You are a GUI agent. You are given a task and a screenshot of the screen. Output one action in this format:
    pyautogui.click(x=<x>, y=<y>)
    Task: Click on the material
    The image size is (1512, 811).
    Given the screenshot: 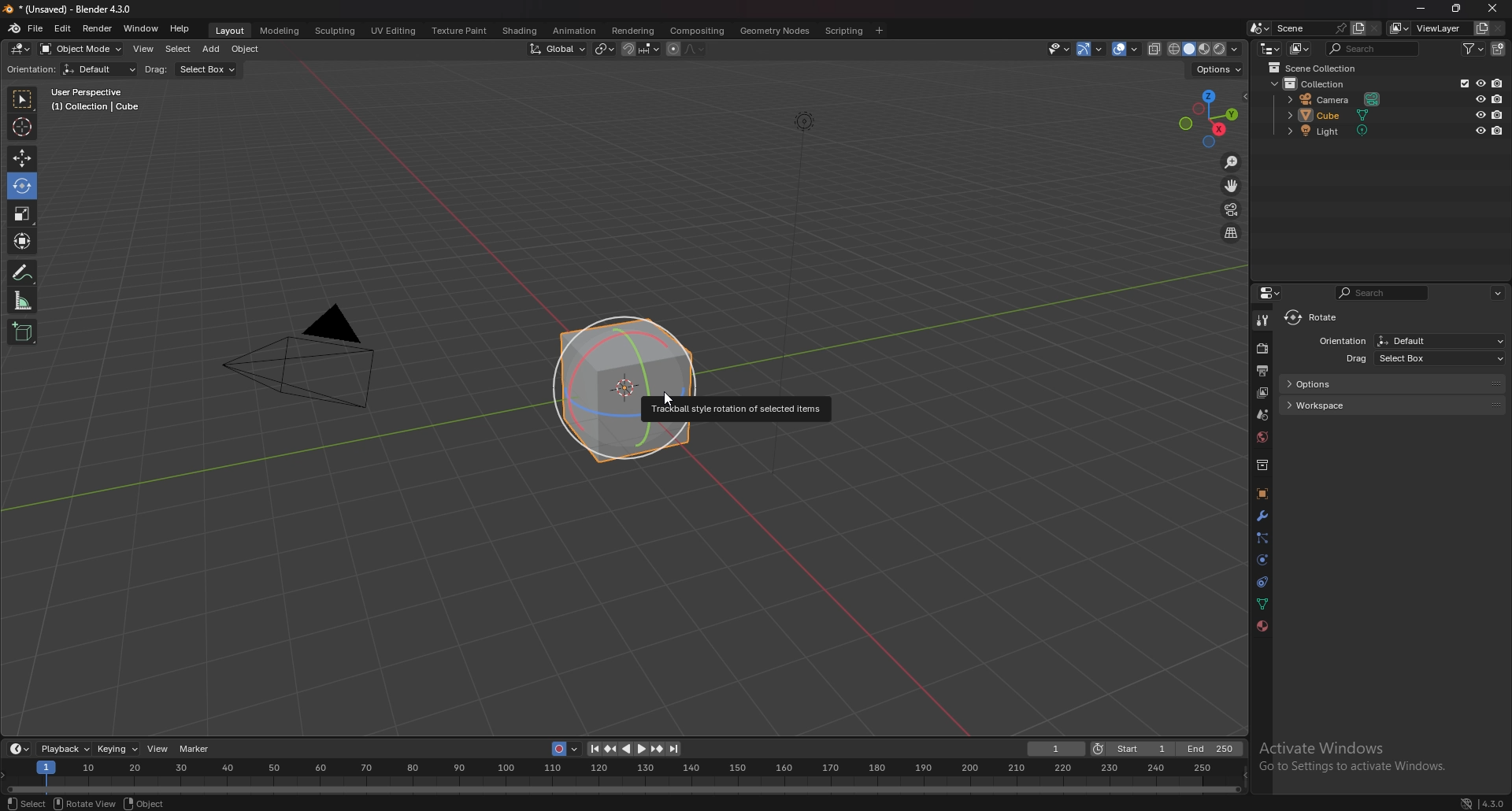 What is the action you would take?
    pyautogui.click(x=1262, y=626)
    